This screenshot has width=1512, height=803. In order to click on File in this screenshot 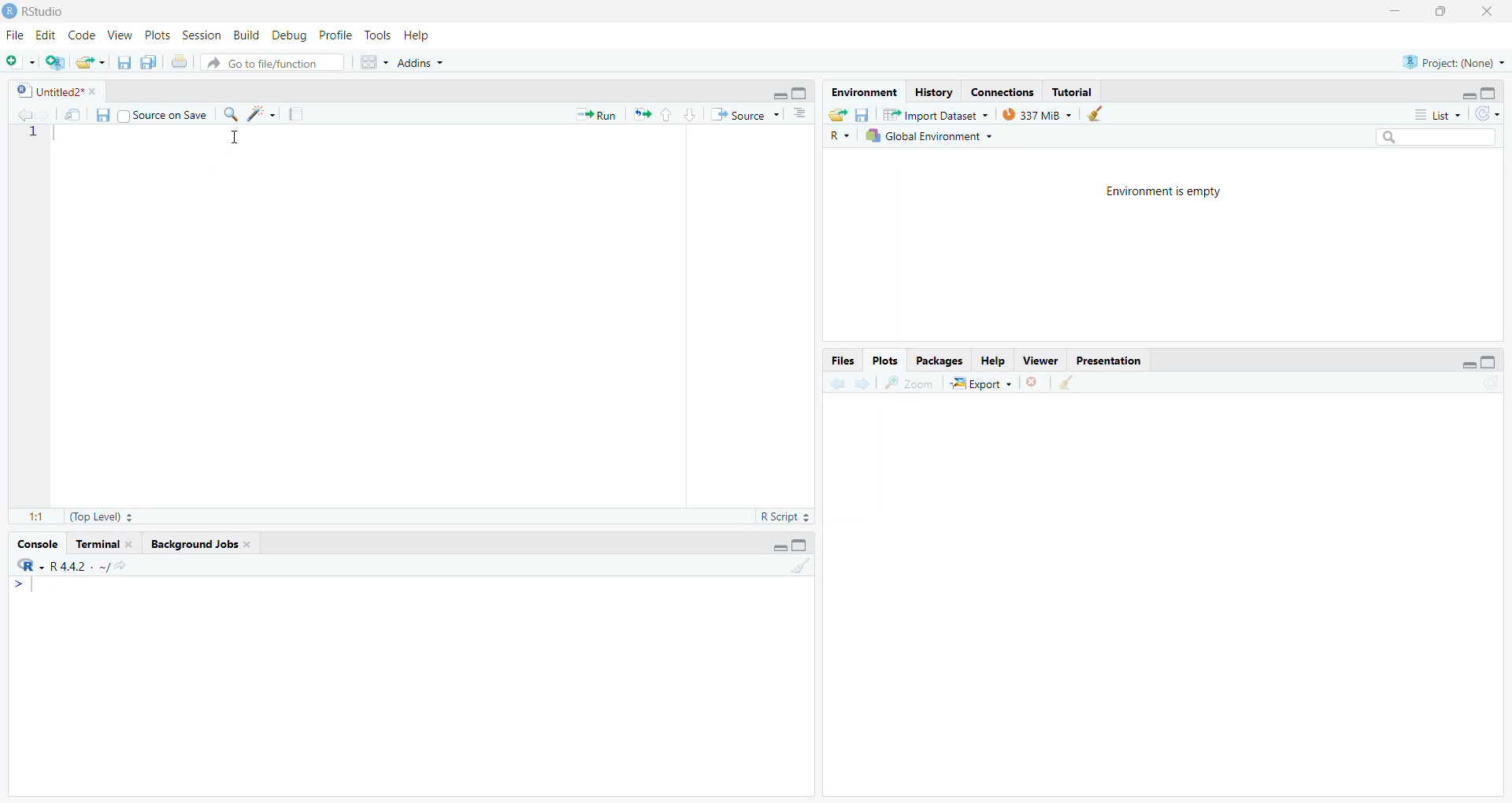, I will do `click(13, 35)`.